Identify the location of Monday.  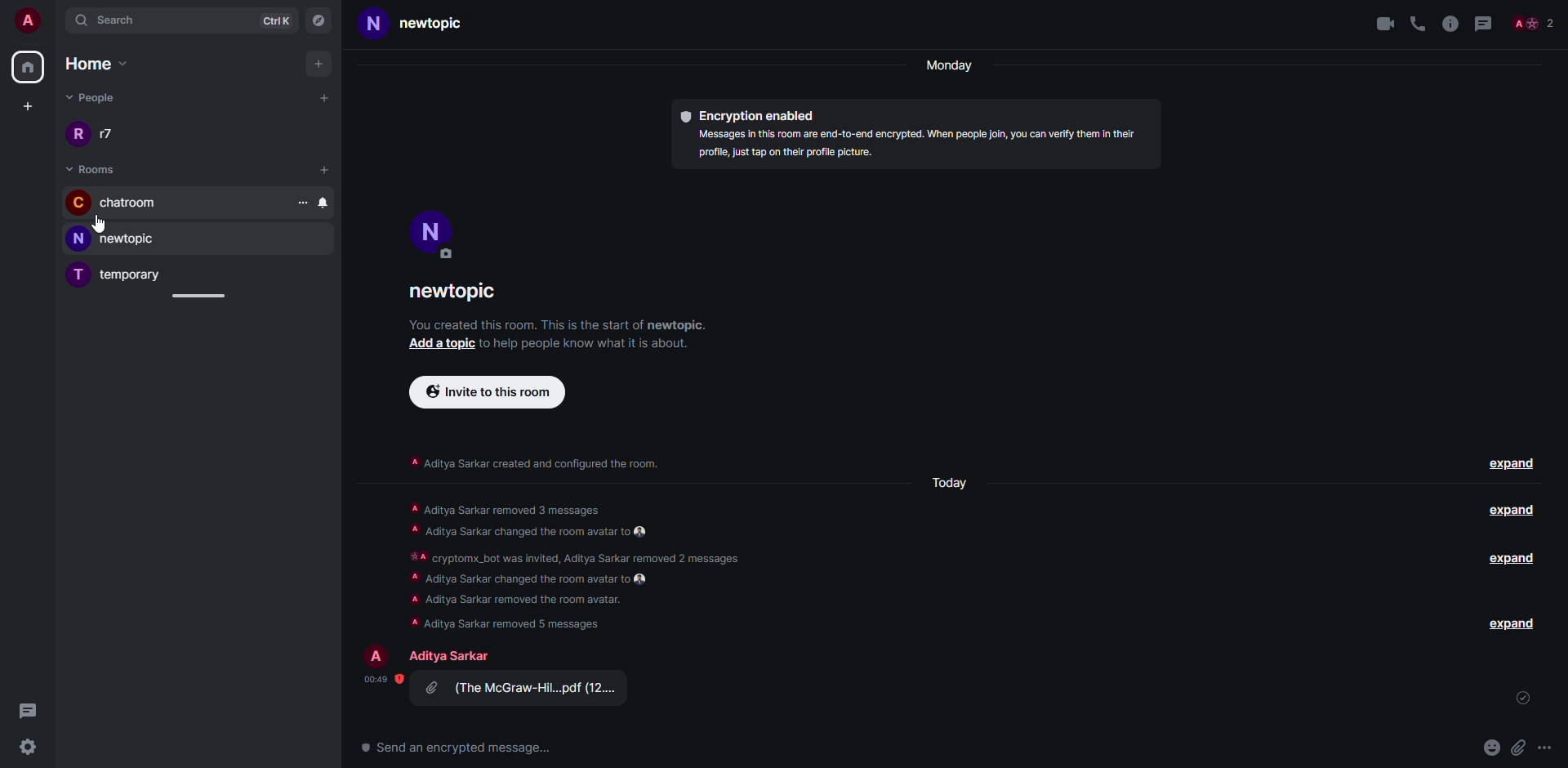
(951, 66).